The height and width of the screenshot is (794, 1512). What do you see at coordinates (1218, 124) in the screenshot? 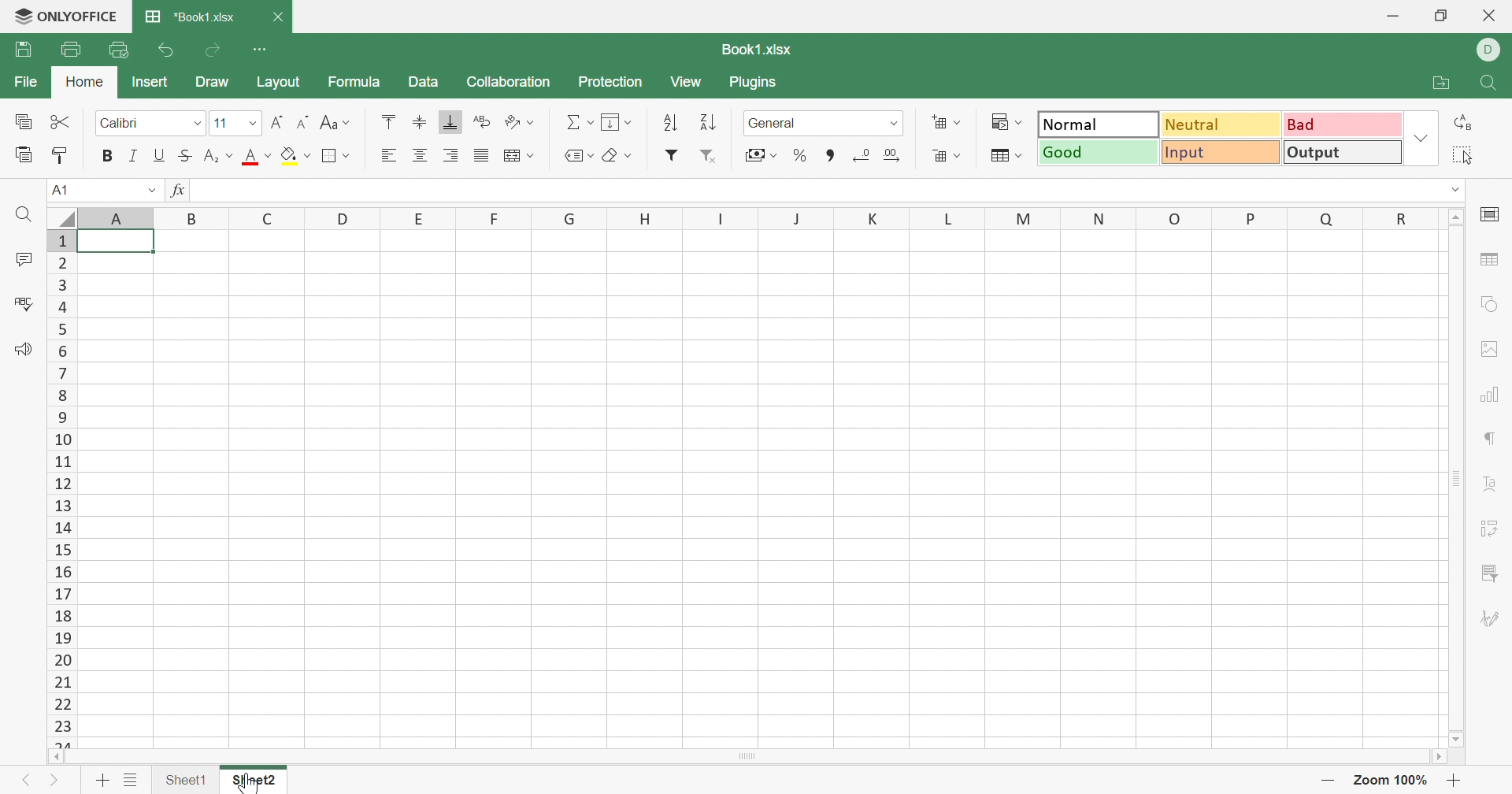
I see `Neutral` at bounding box center [1218, 124].